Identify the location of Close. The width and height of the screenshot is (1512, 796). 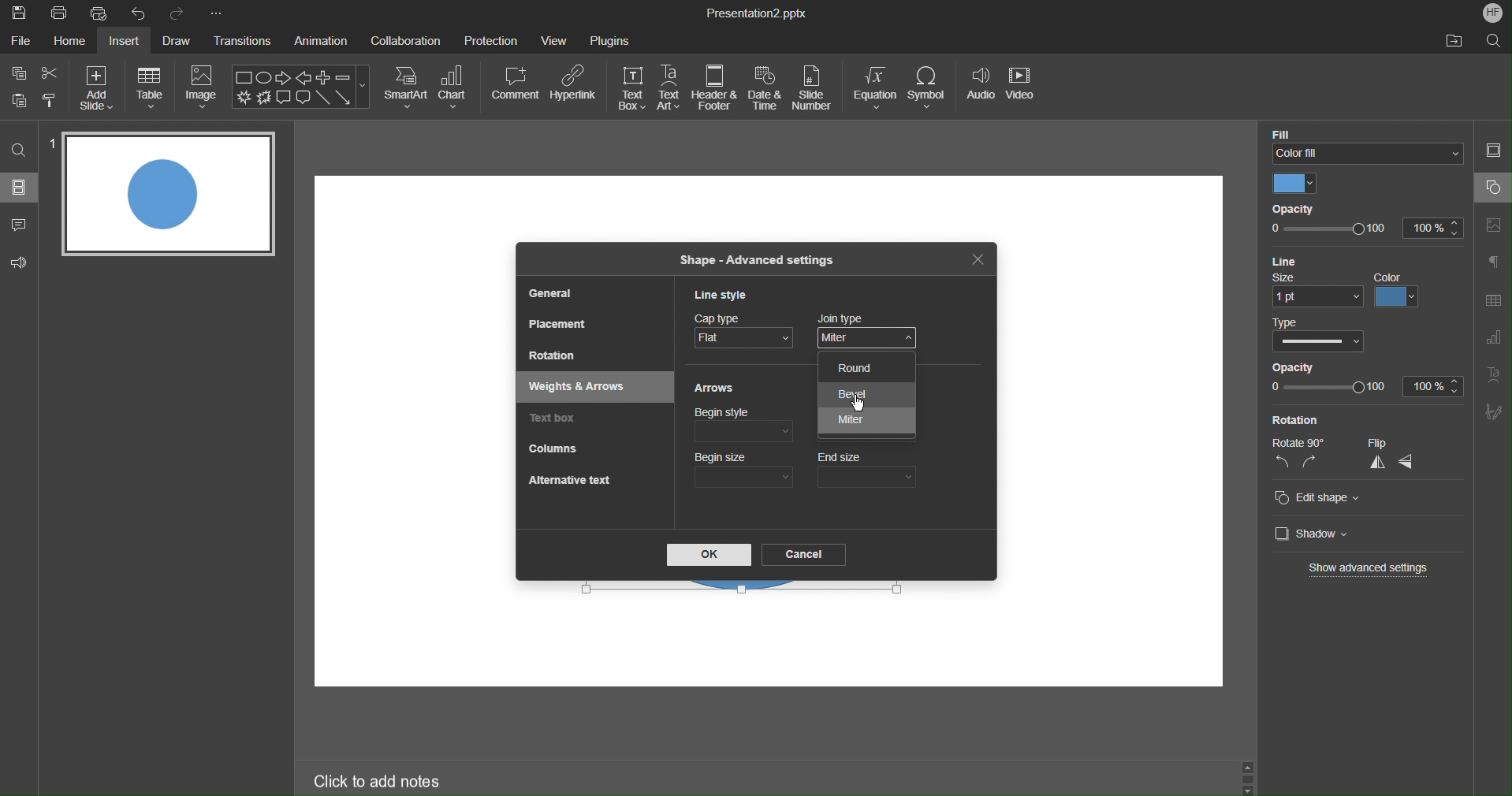
(978, 262).